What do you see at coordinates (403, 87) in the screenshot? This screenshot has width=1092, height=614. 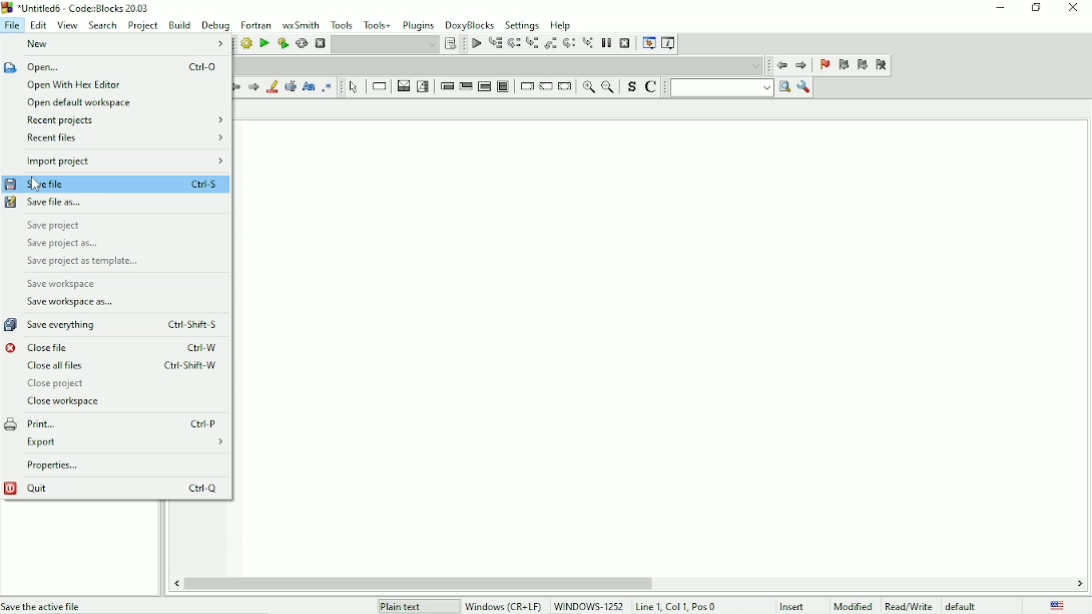 I see `Decision` at bounding box center [403, 87].